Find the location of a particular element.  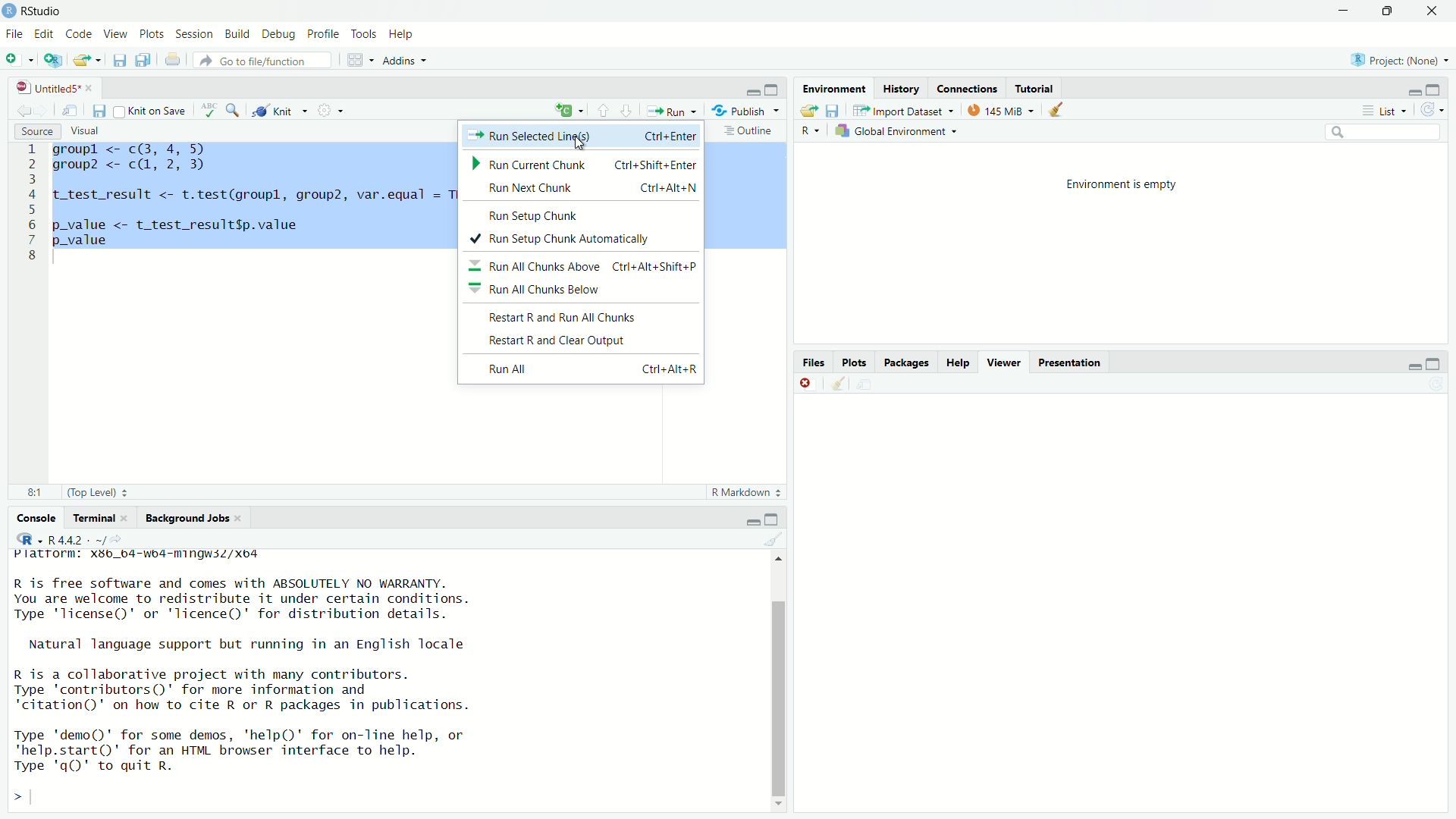

 Untitled is located at coordinates (54, 86).